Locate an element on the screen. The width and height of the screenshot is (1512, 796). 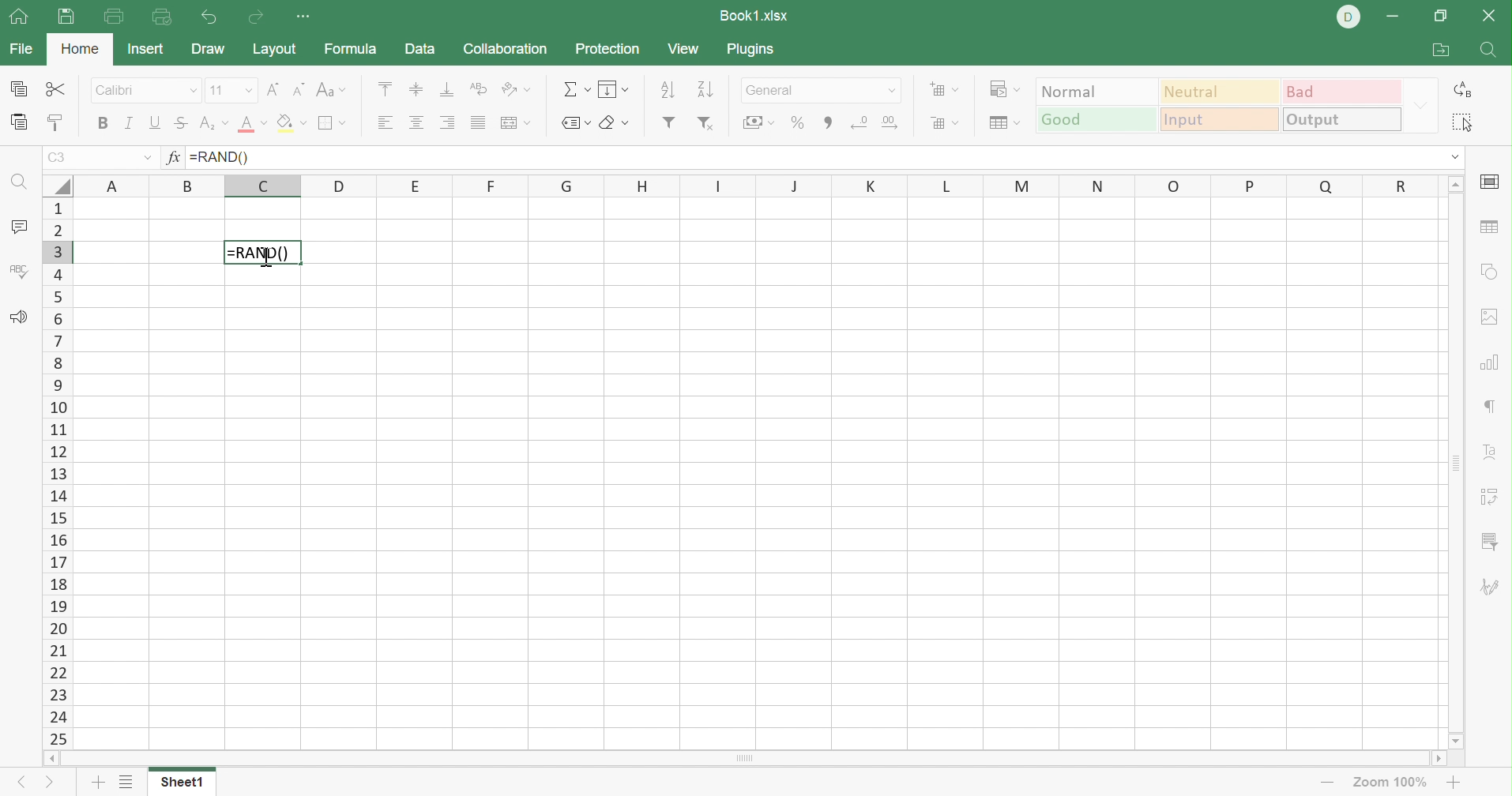
Pivot table settings is located at coordinates (1491, 496).